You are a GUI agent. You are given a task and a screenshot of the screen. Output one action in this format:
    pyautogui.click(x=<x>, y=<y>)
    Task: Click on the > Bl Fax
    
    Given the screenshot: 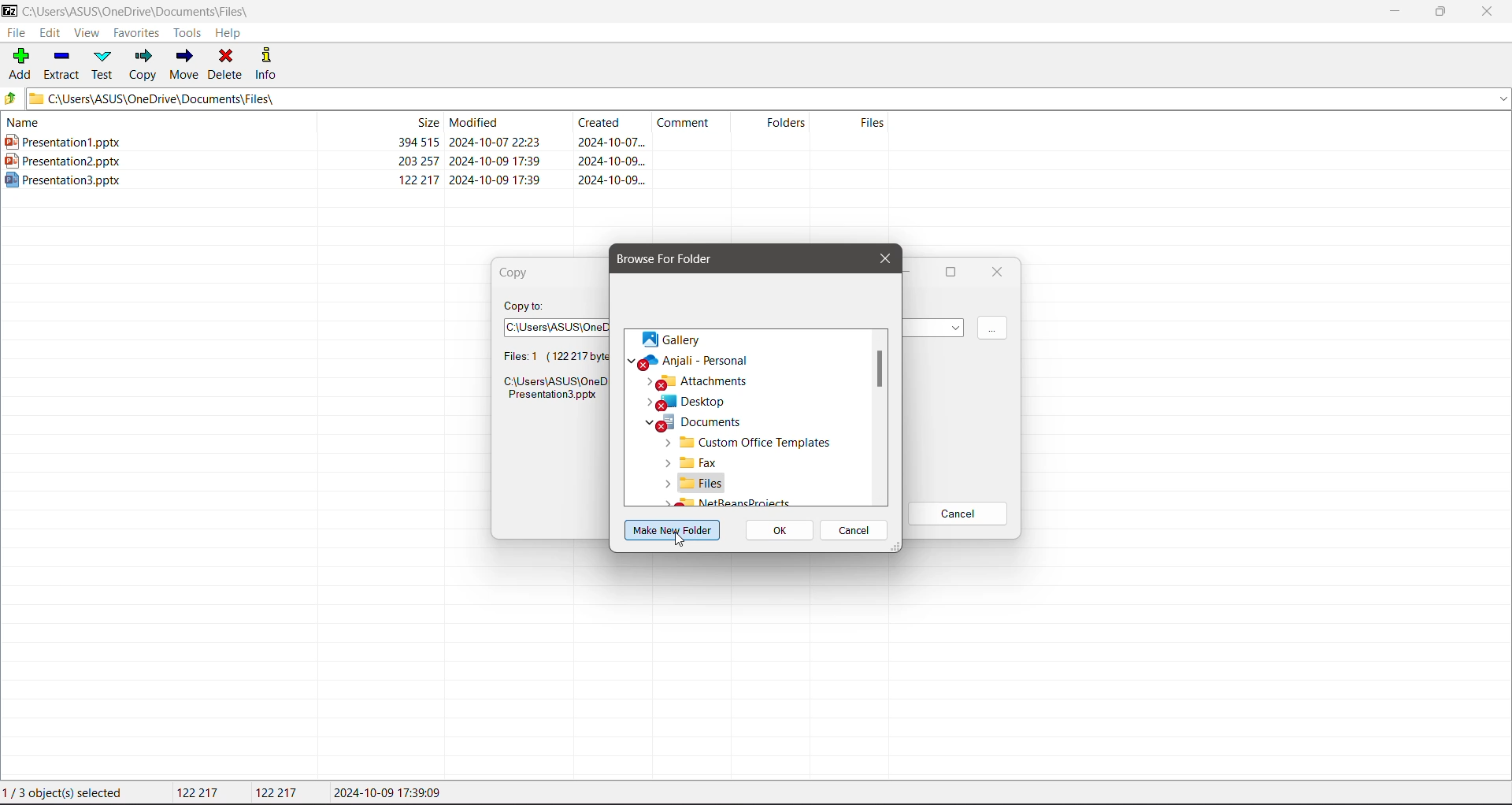 What is the action you would take?
    pyautogui.click(x=686, y=463)
    